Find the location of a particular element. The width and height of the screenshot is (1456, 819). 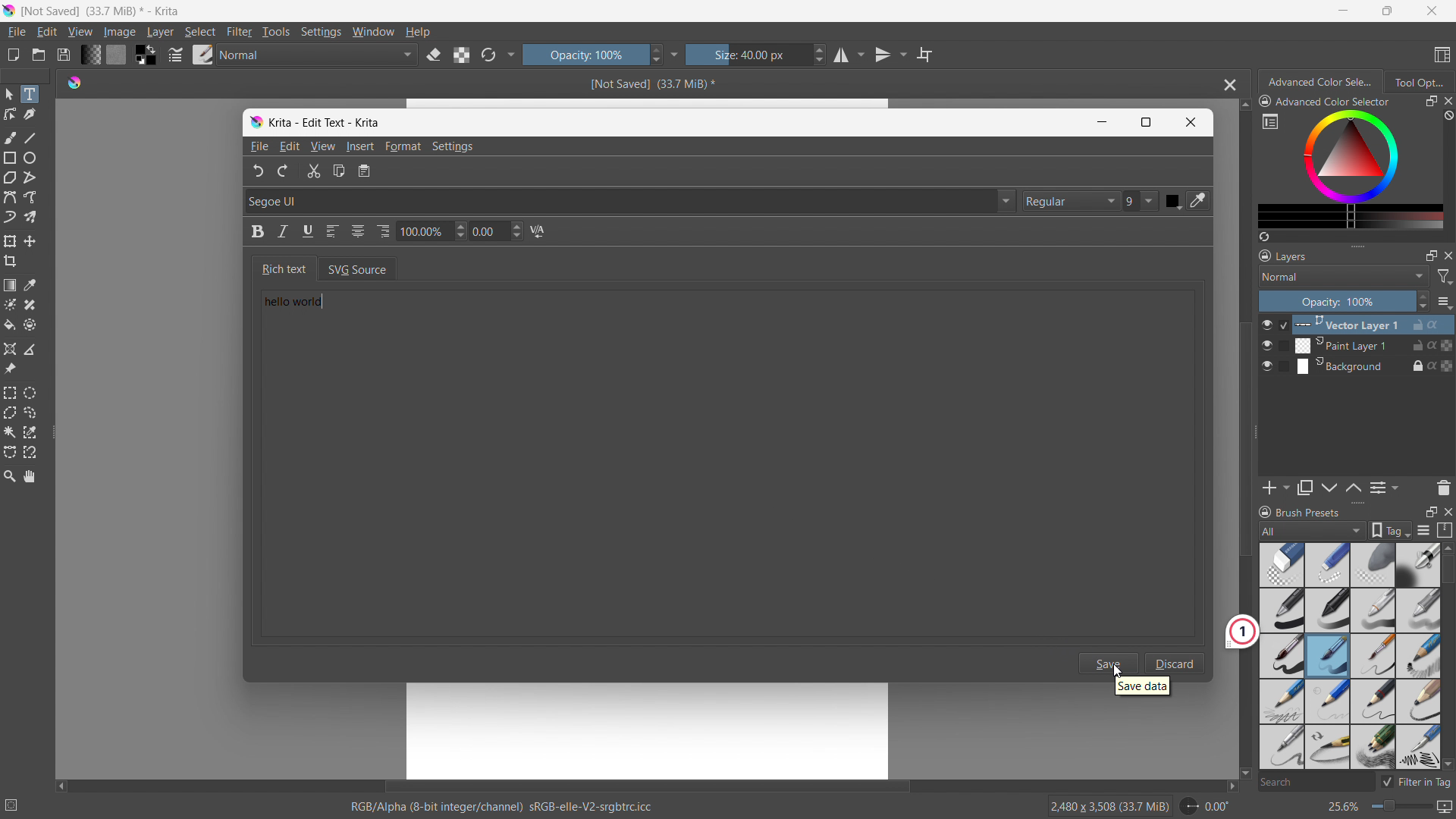

scroll left is located at coordinates (61, 783).